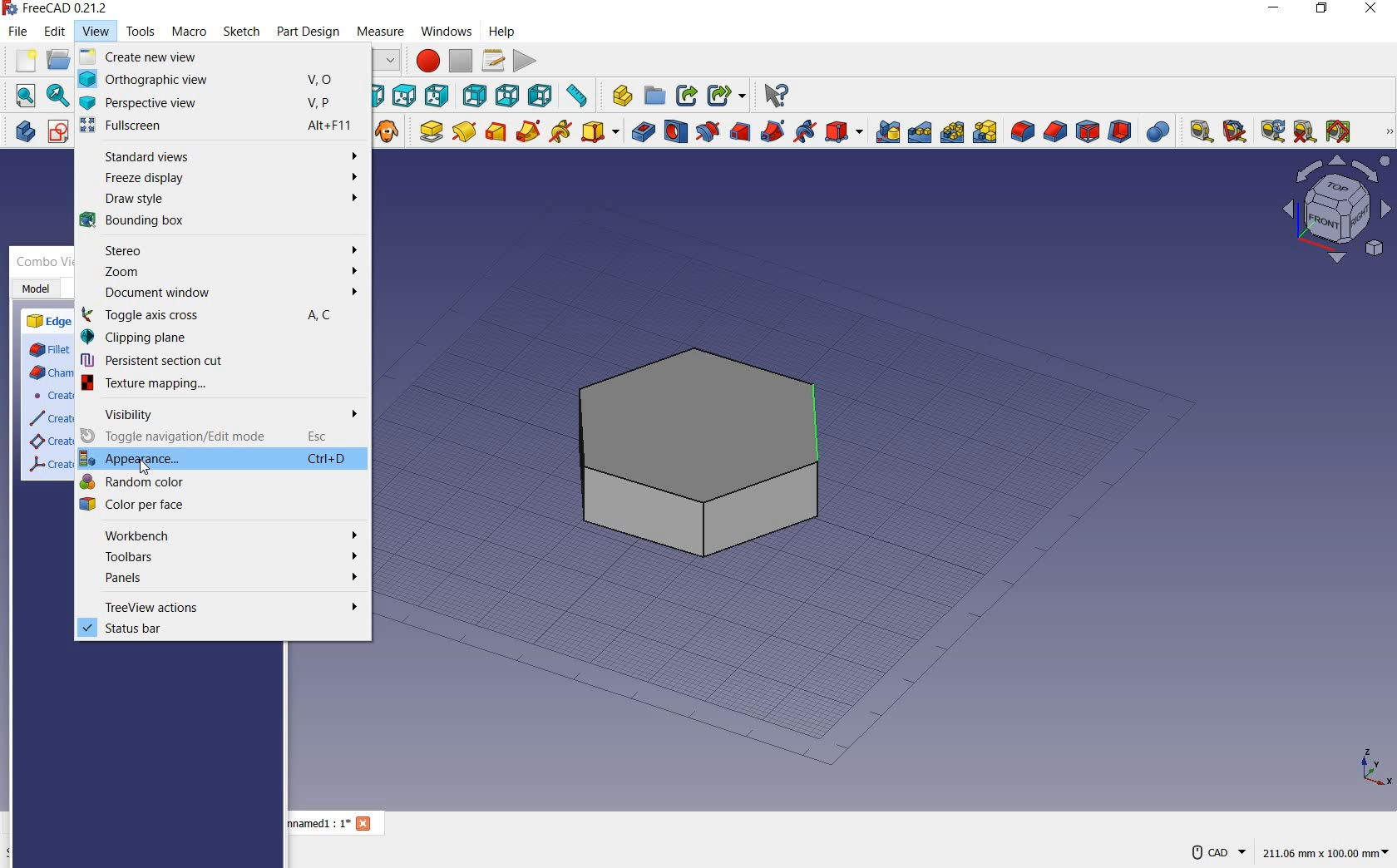 This screenshot has width=1397, height=868. Describe the element at coordinates (529, 131) in the screenshot. I see `additive pipe` at that location.